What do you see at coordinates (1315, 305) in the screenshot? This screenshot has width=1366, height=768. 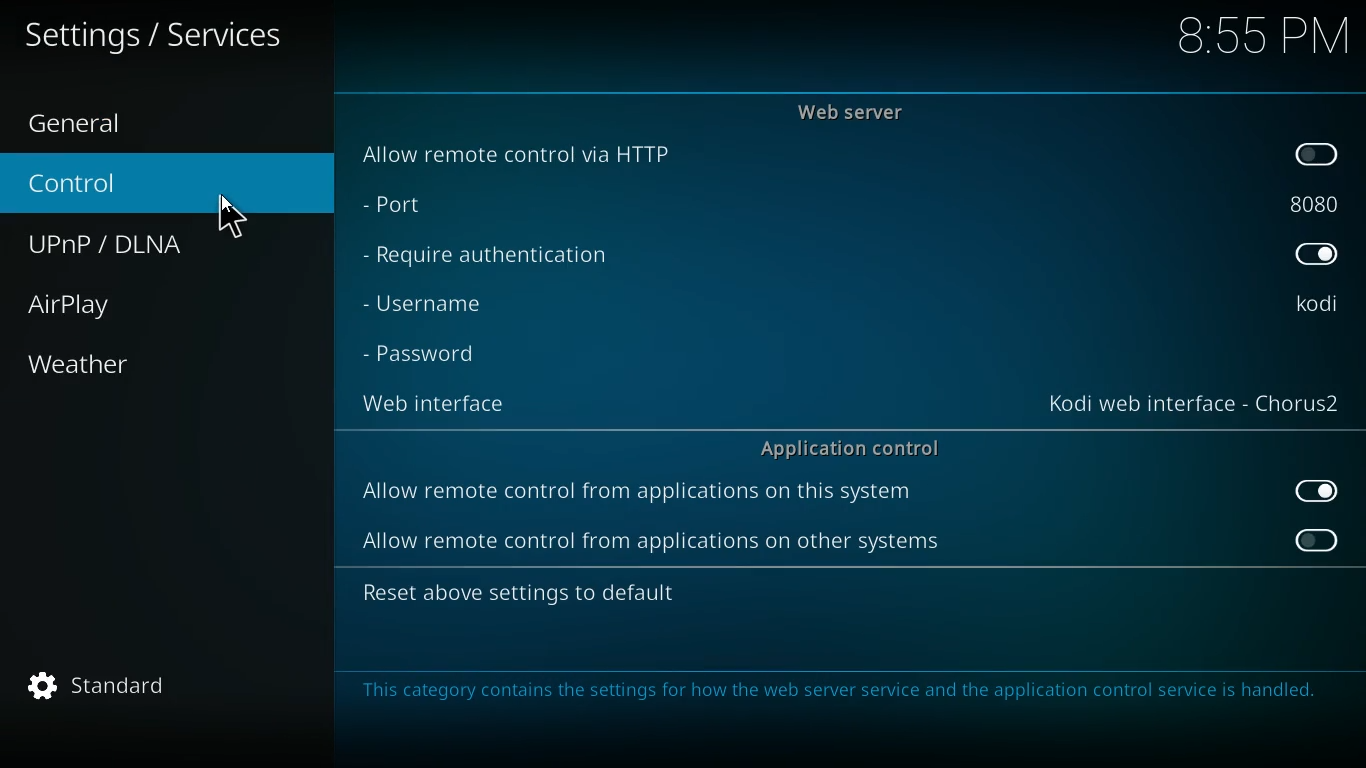 I see `username` at bounding box center [1315, 305].